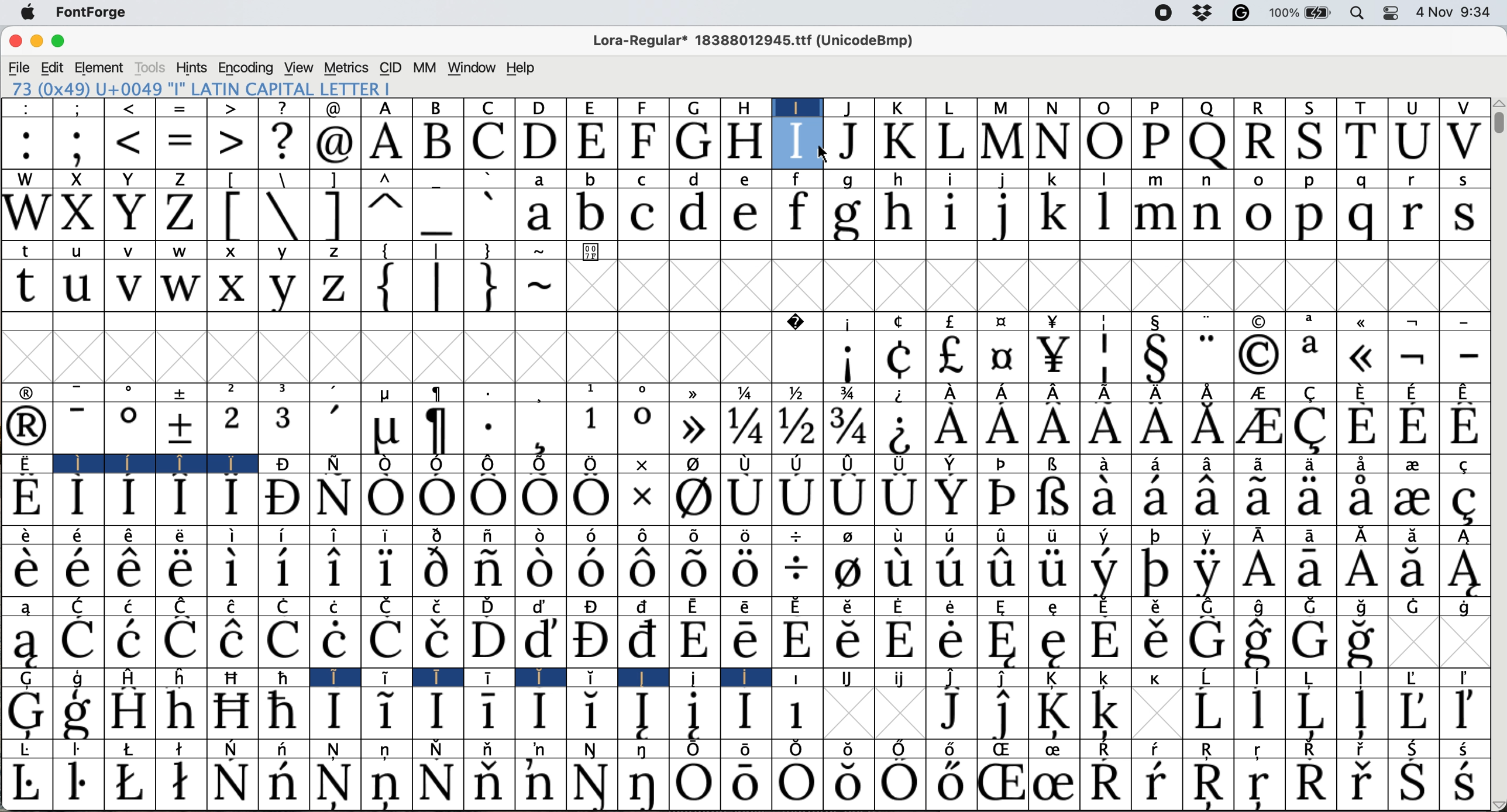 The width and height of the screenshot is (1507, 812). What do you see at coordinates (590, 463) in the screenshot?
I see `symbol` at bounding box center [590, 463].